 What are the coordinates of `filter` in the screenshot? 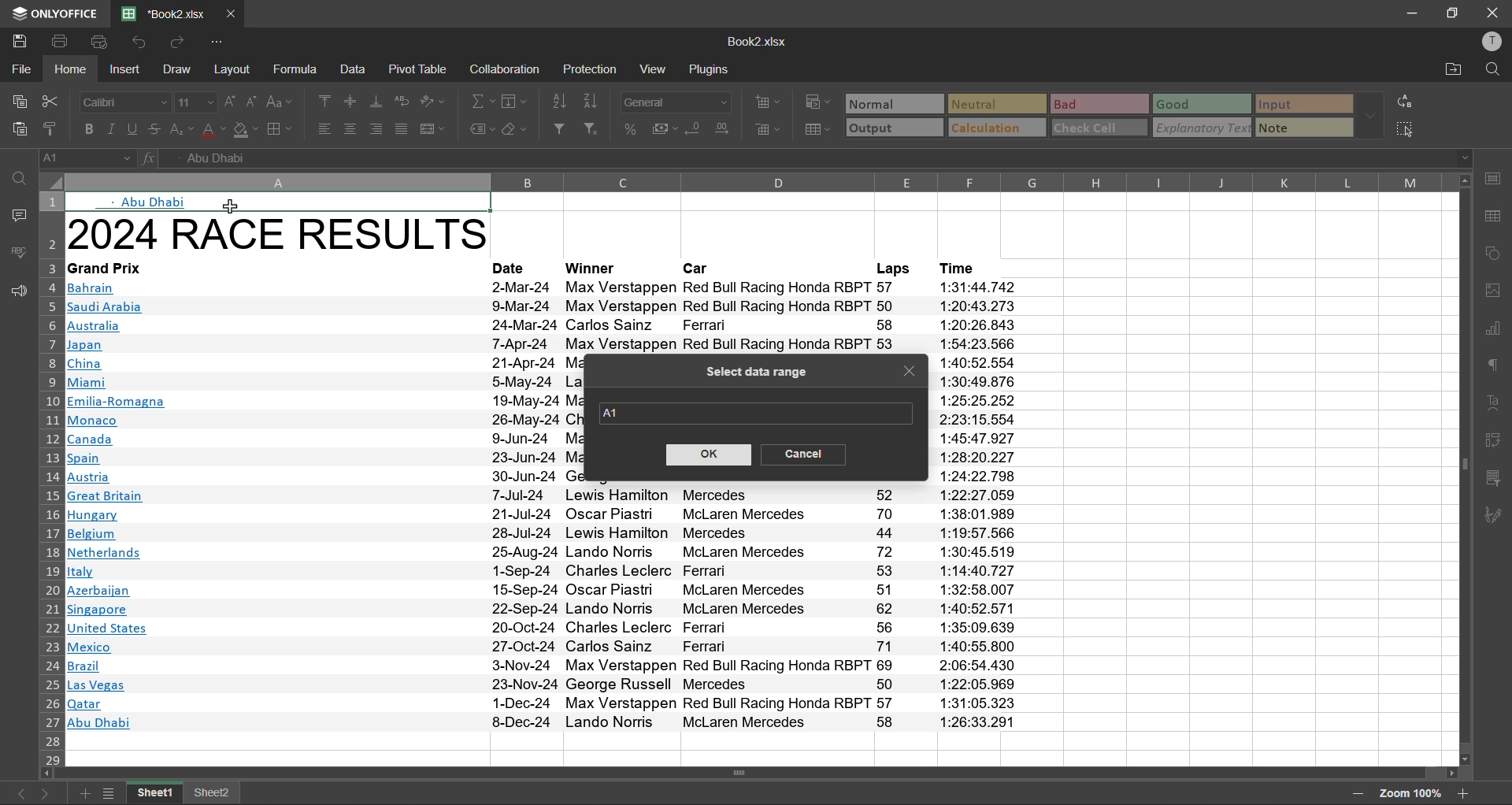 It's located at (562, 127).